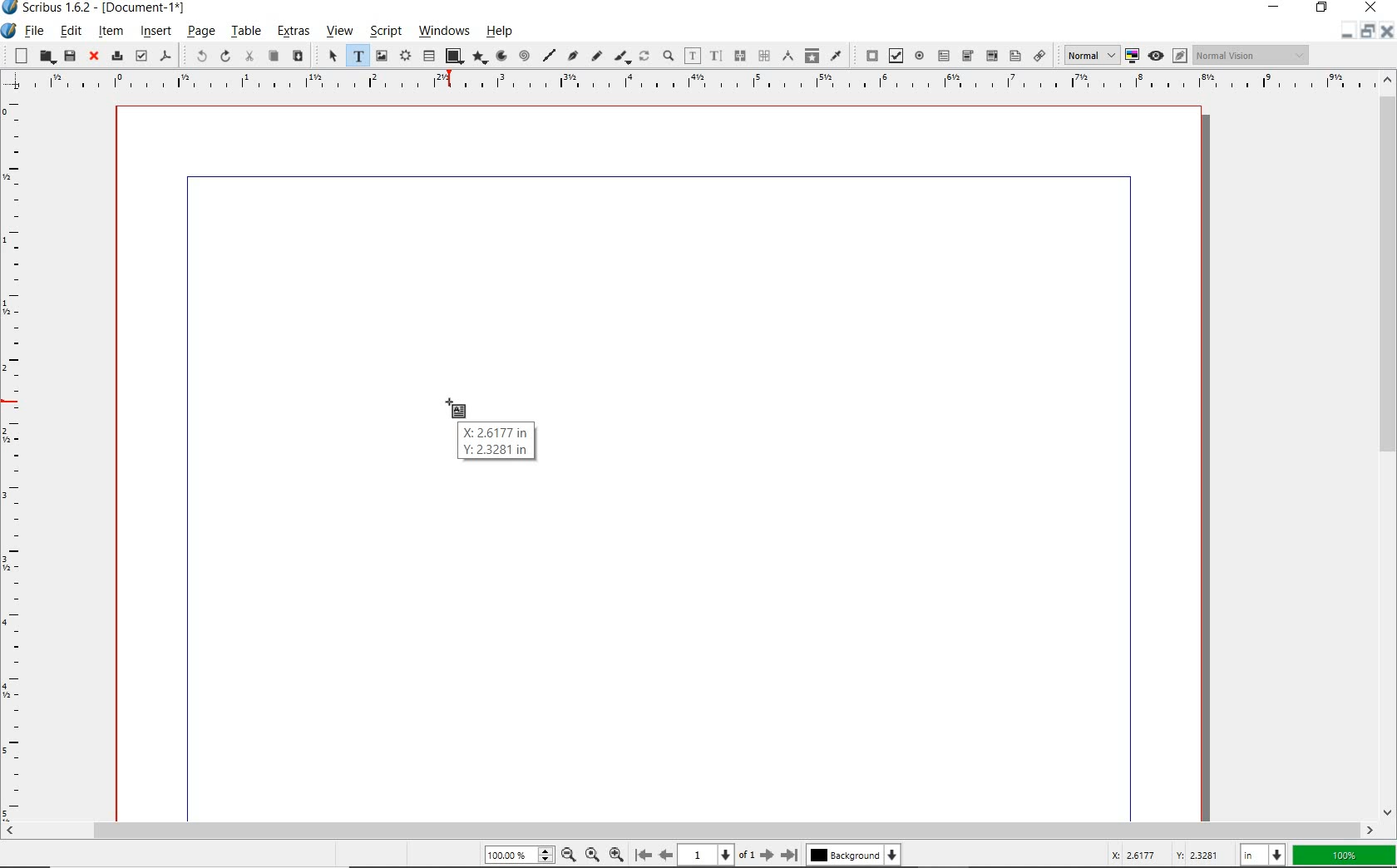 This screenshot has width=1397, height=868. I want to click on pdf text field, so click(945, 56).